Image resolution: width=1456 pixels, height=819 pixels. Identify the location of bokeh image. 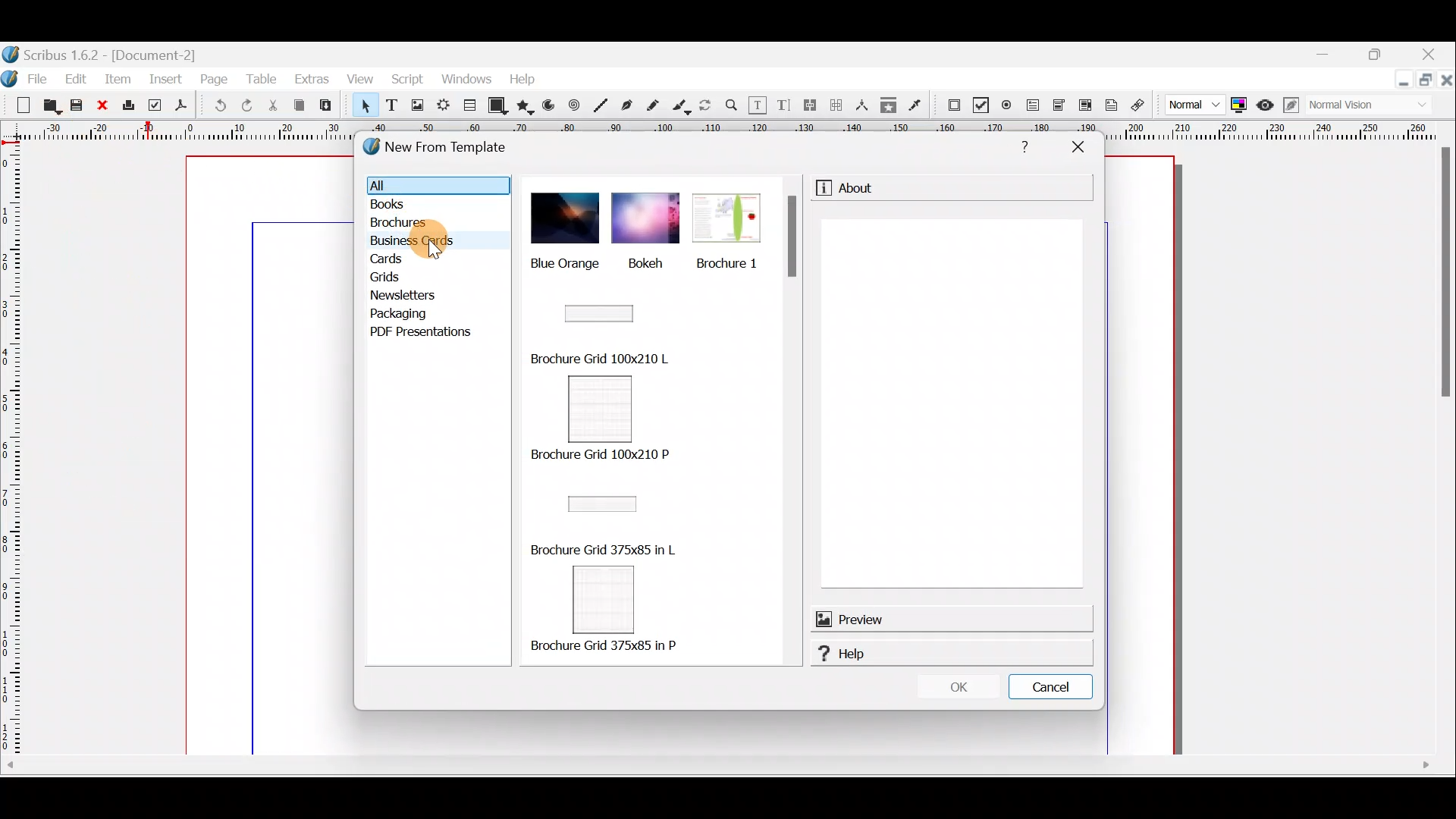
(646, 217).